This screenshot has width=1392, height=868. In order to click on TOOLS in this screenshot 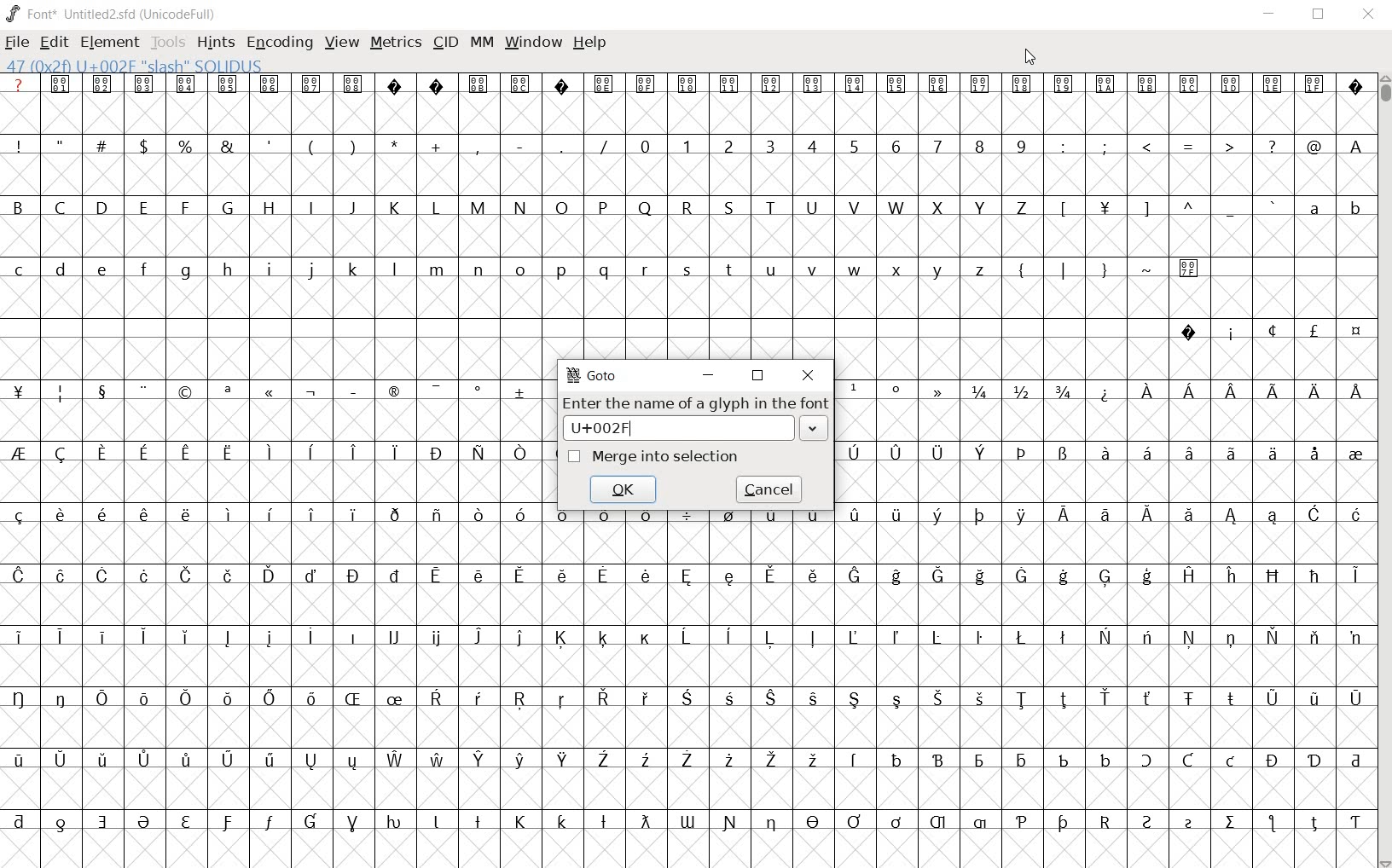, I will do `click(167, 43)`.